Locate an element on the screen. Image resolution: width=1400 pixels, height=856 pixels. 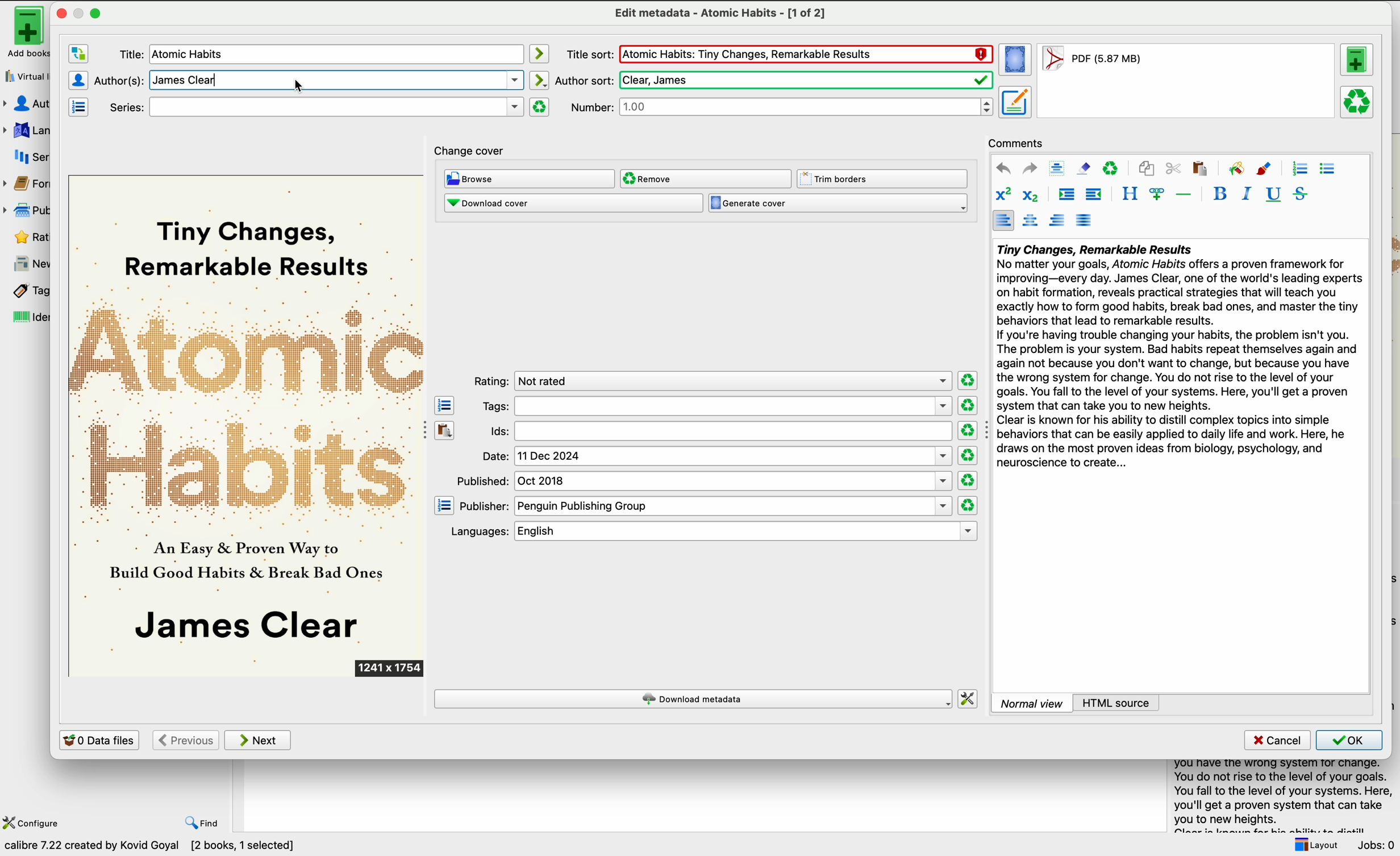
authors editor is located at coordinates (78, 80).